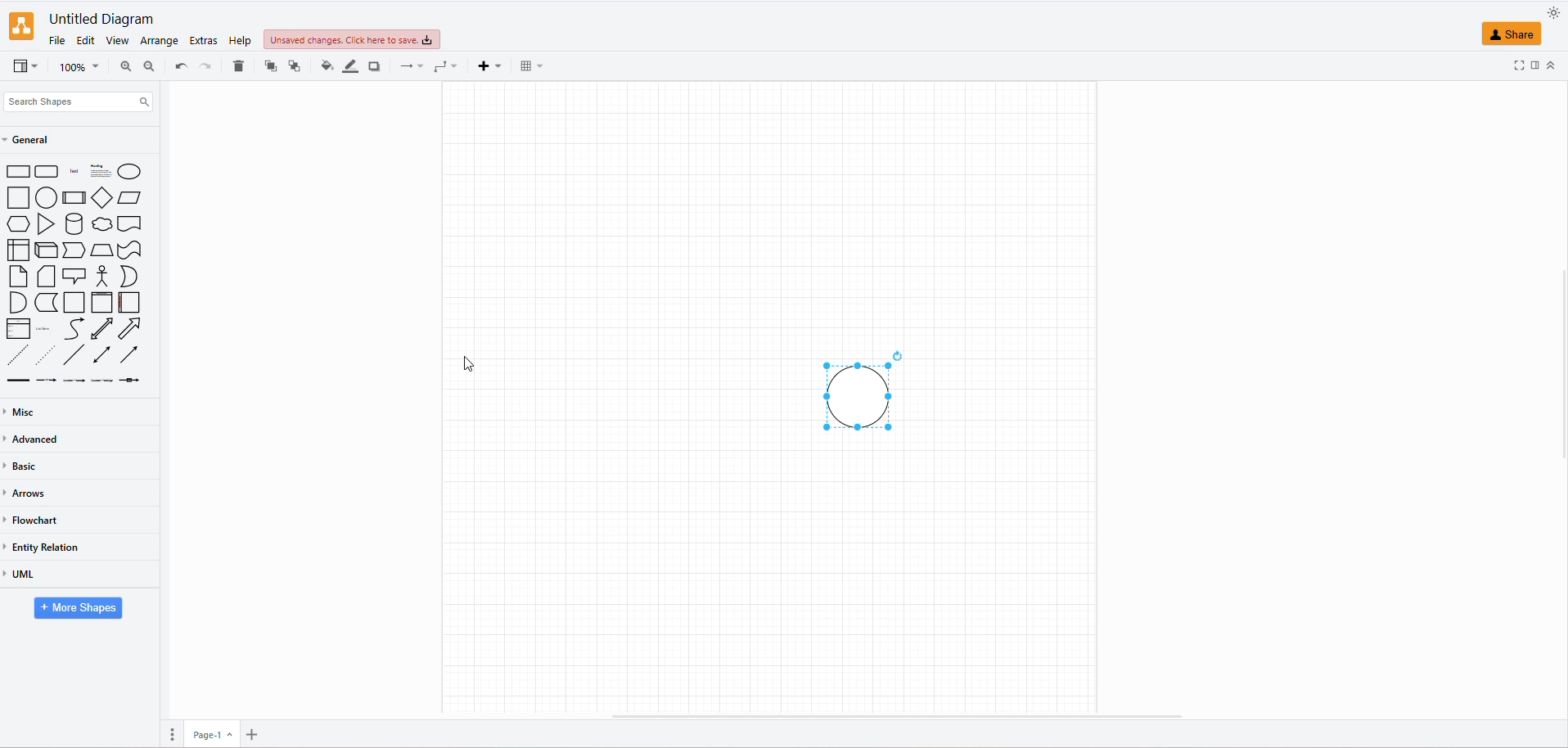  I want to click on DASHED LINE, so click(15, 354).